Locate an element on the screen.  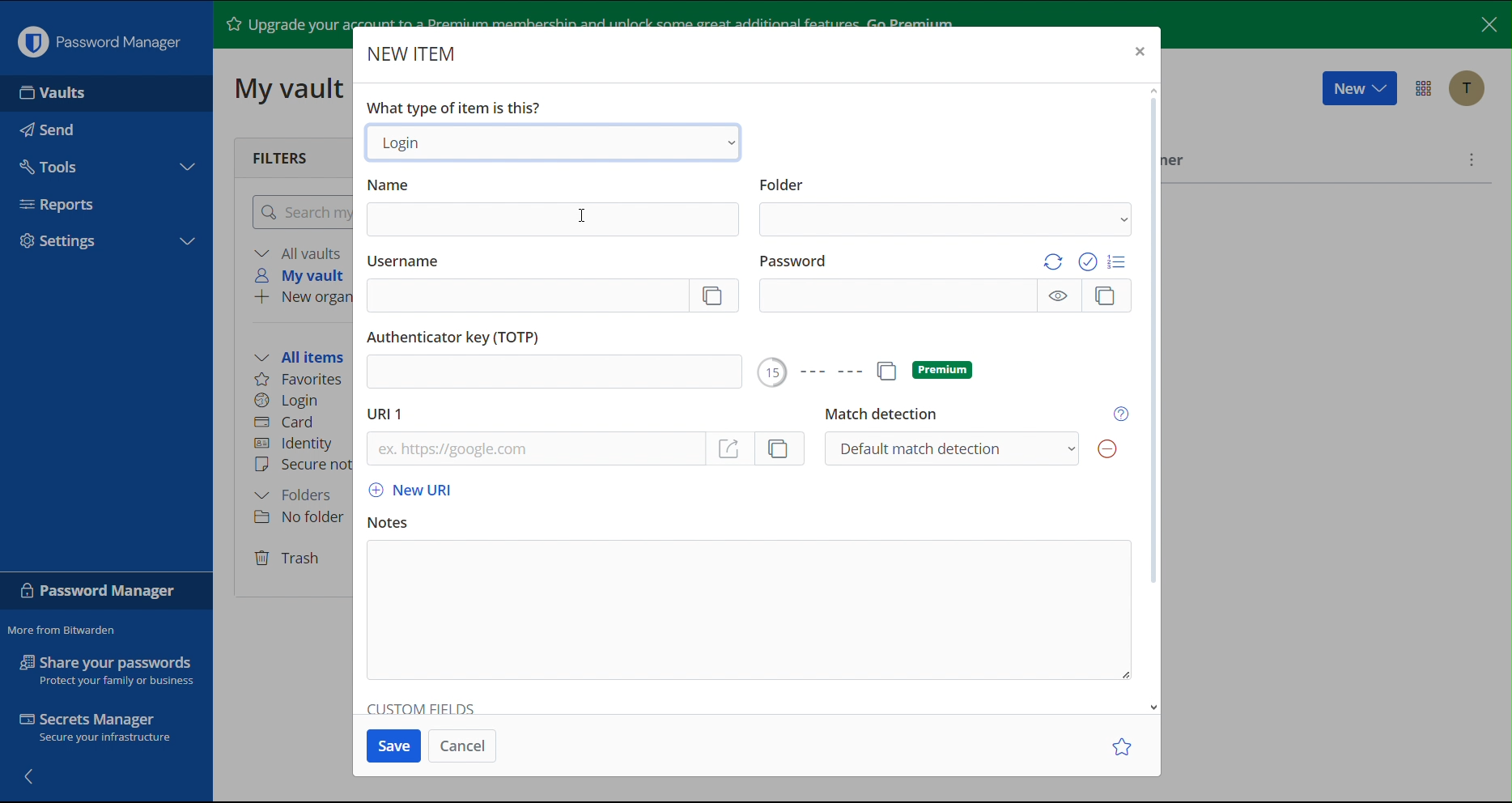
Search my vault is located at coordinates (301, 211).